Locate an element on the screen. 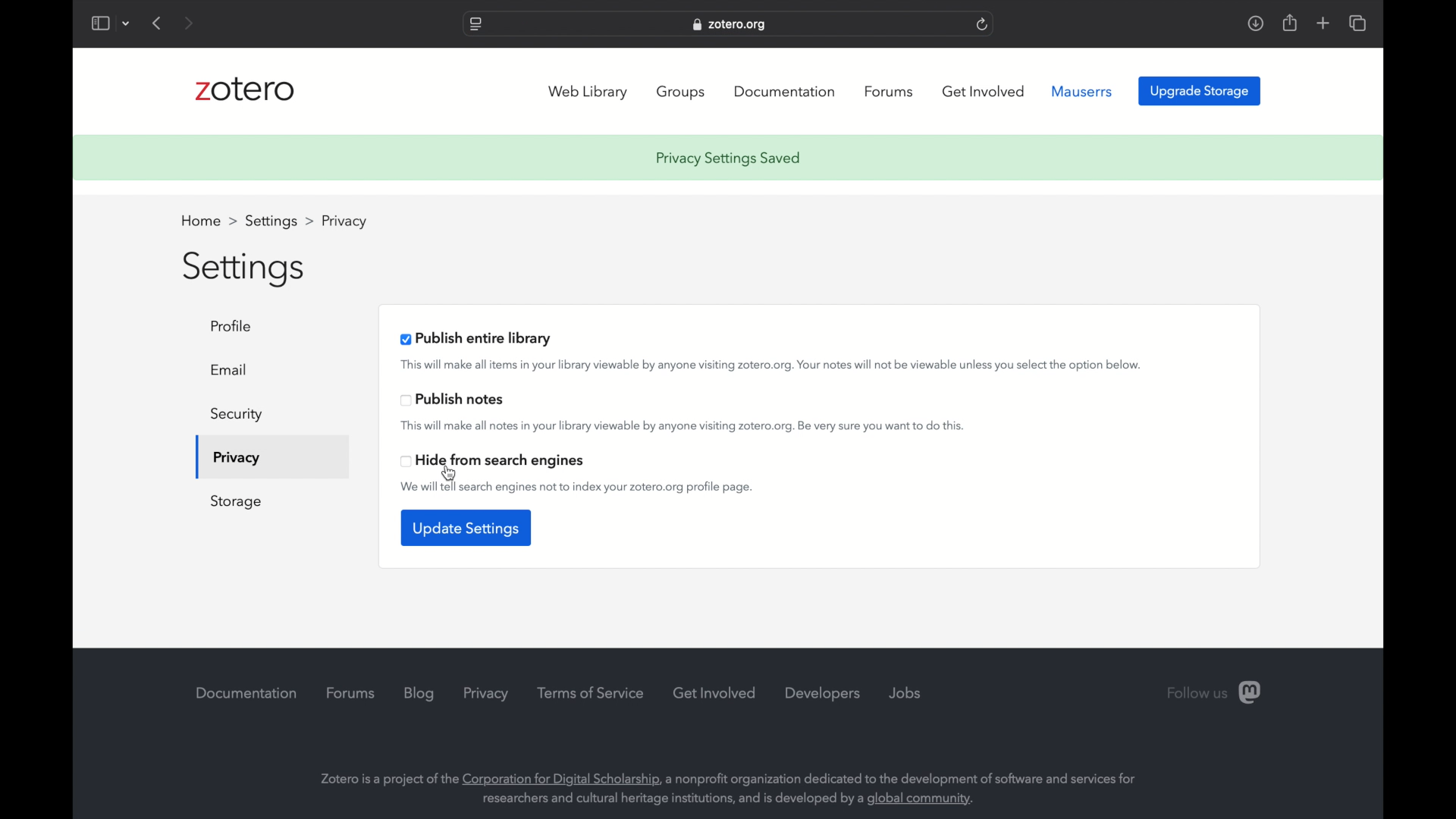 This screenshot has width=1456, height=819. follow us is located at coordinates (1214, 692).